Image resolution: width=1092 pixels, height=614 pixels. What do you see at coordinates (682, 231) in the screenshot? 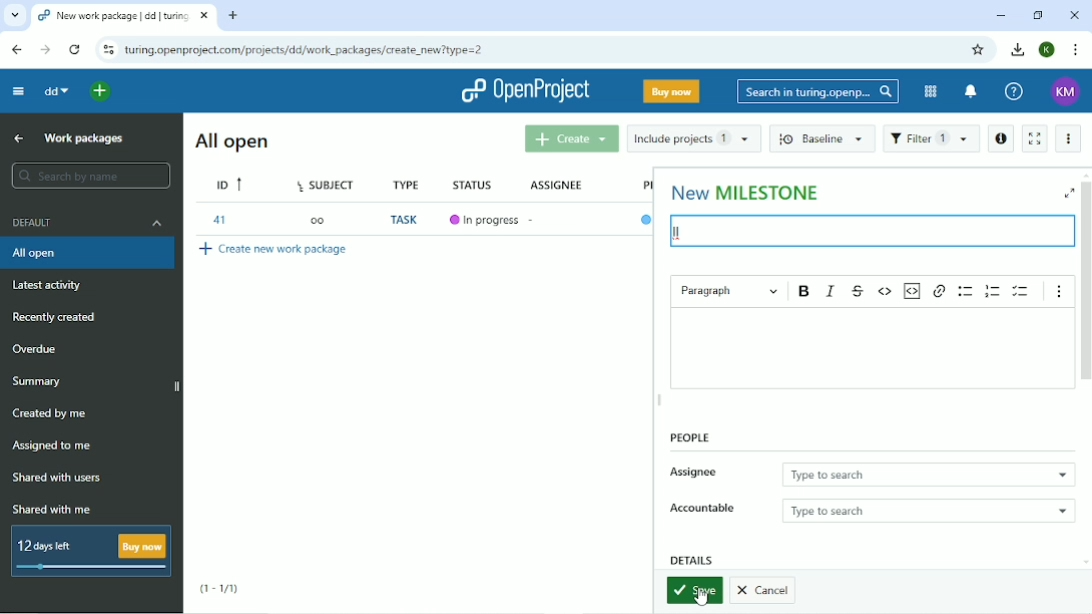
I see `ll` at bounding box center [682, 231].